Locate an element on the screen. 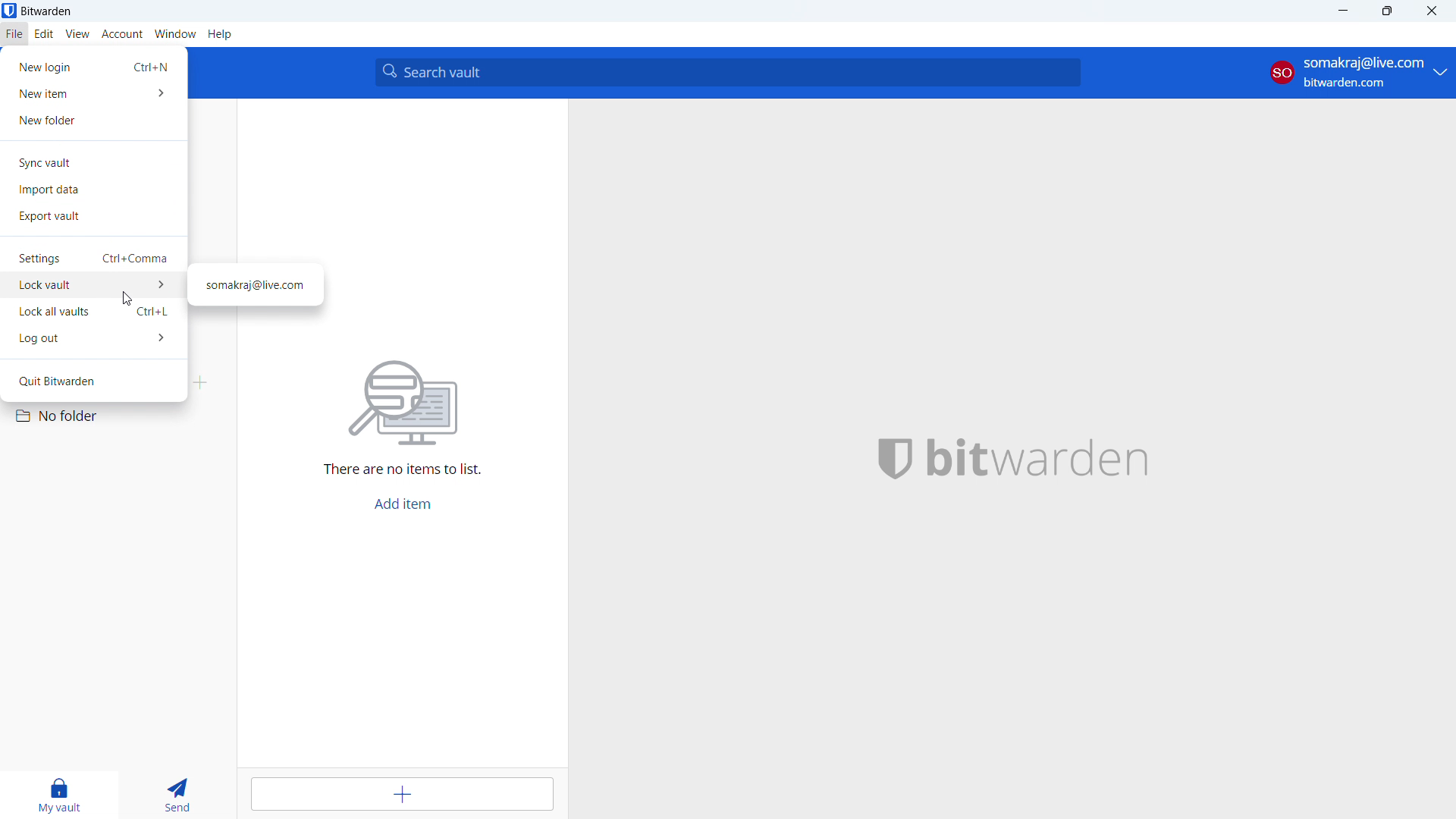 This screenshot has height=819, width=1456. bitwarden logo is located at coordinates (889, 457).